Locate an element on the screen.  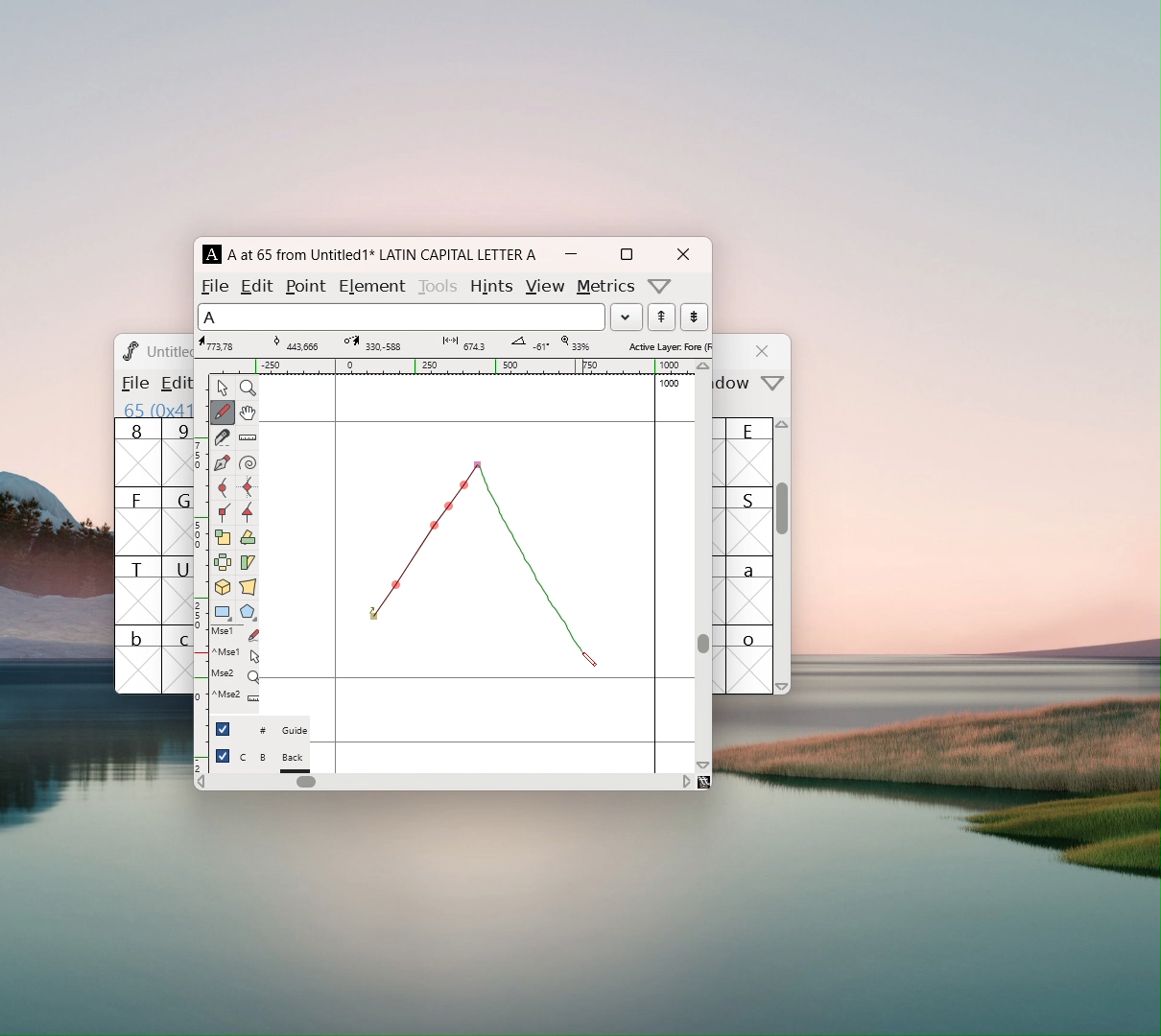
angle is located at coordinates (527, 343).